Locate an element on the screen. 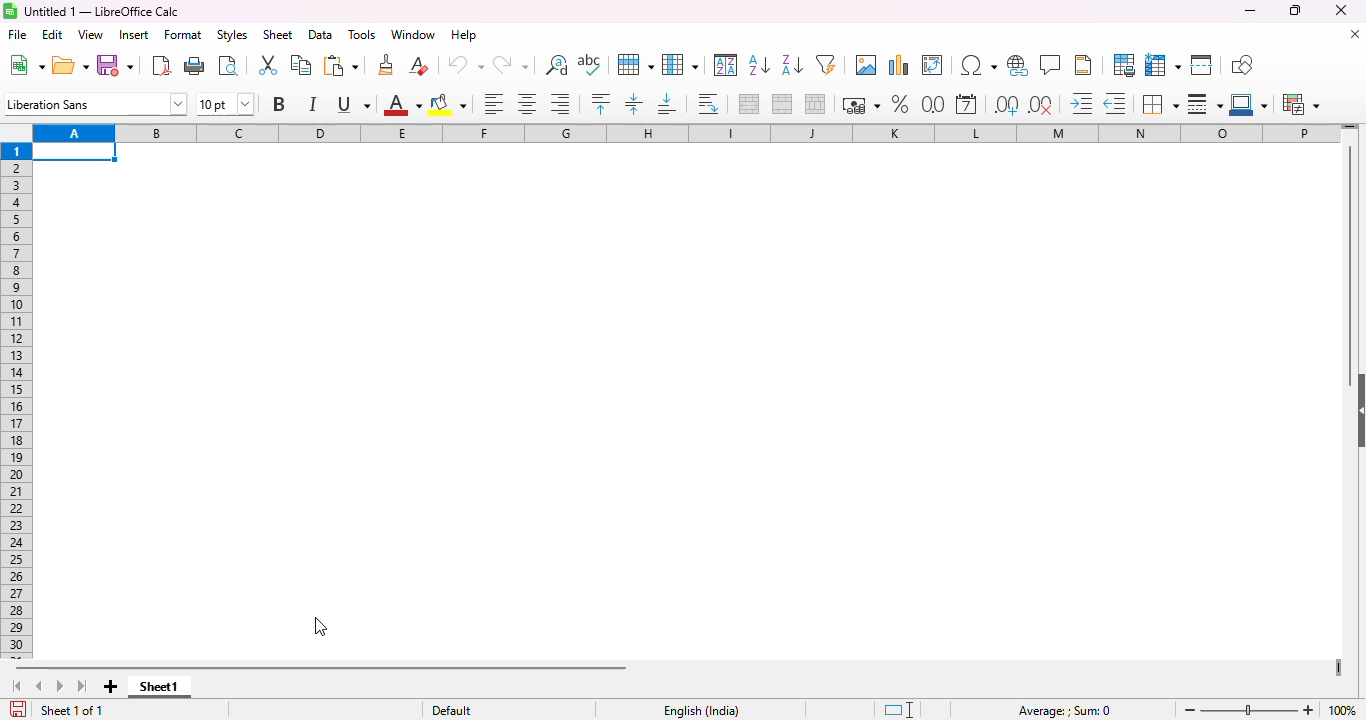  find and replace is located at coordinates (557, 65).